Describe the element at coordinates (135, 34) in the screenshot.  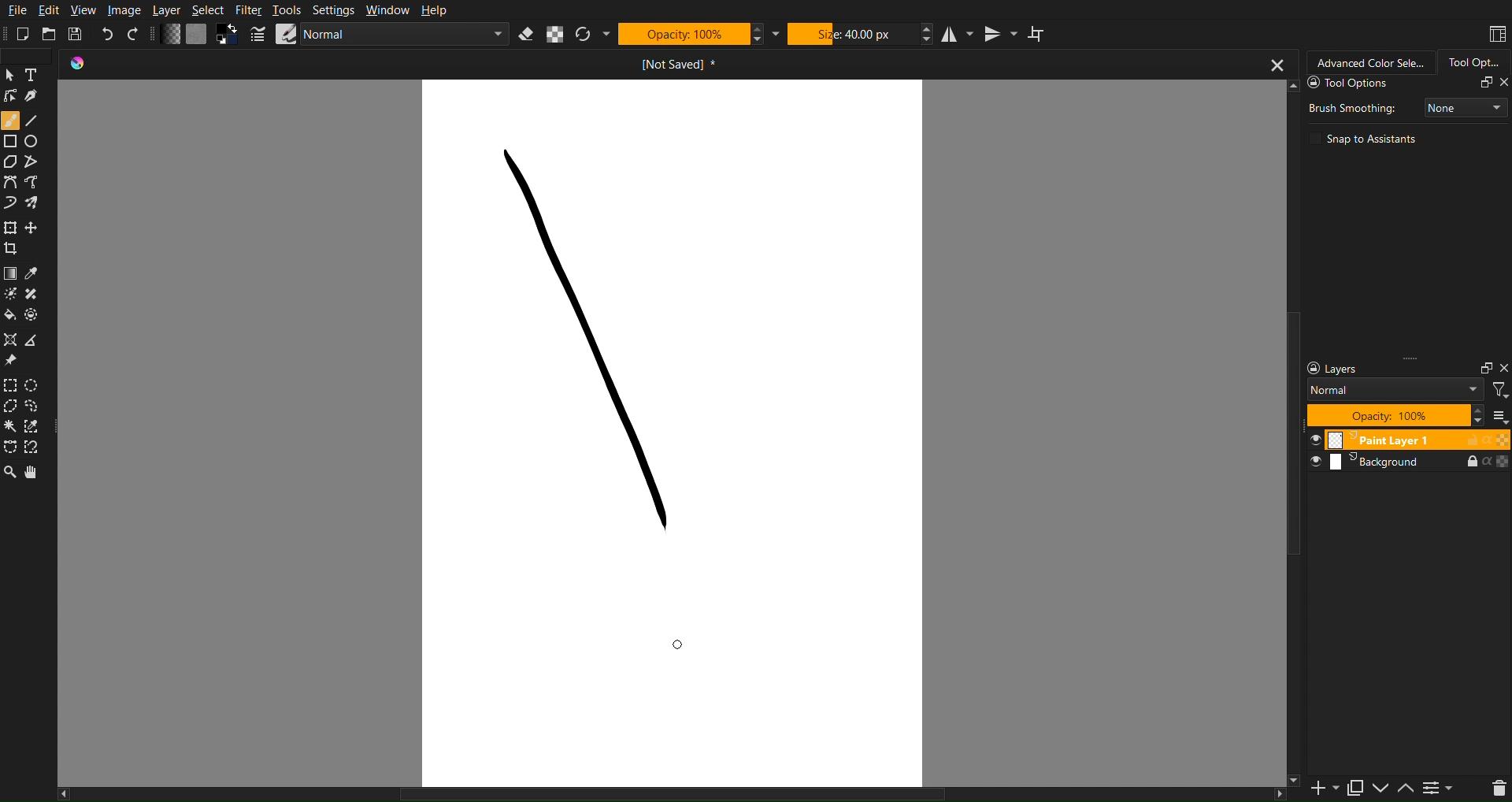
I see `Redo` at that location.